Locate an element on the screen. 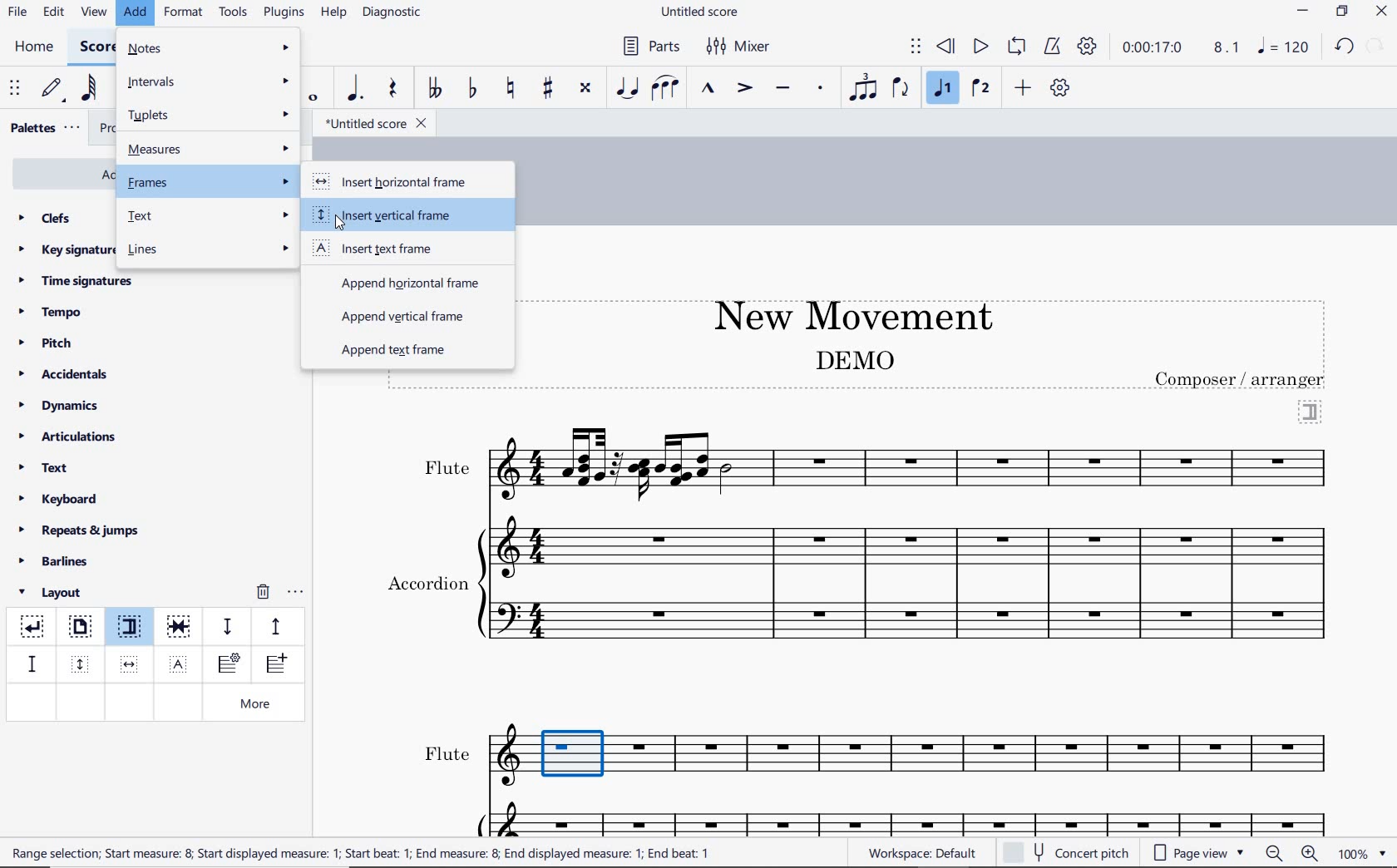 This screenshot has height=868, width=1397. FL is located at coordinates (918, 757).